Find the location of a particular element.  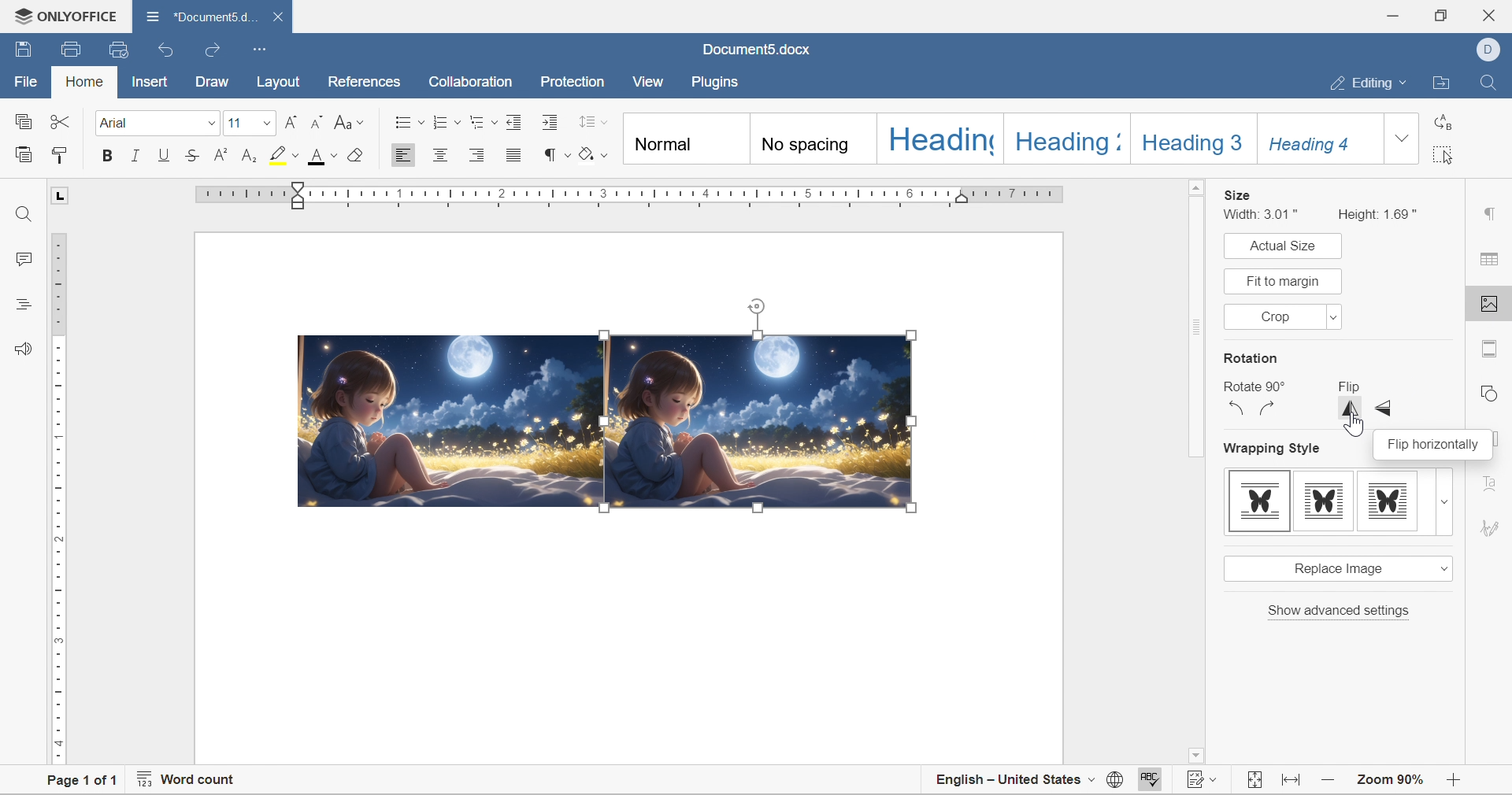

undo is located at coordinates (167, 50).